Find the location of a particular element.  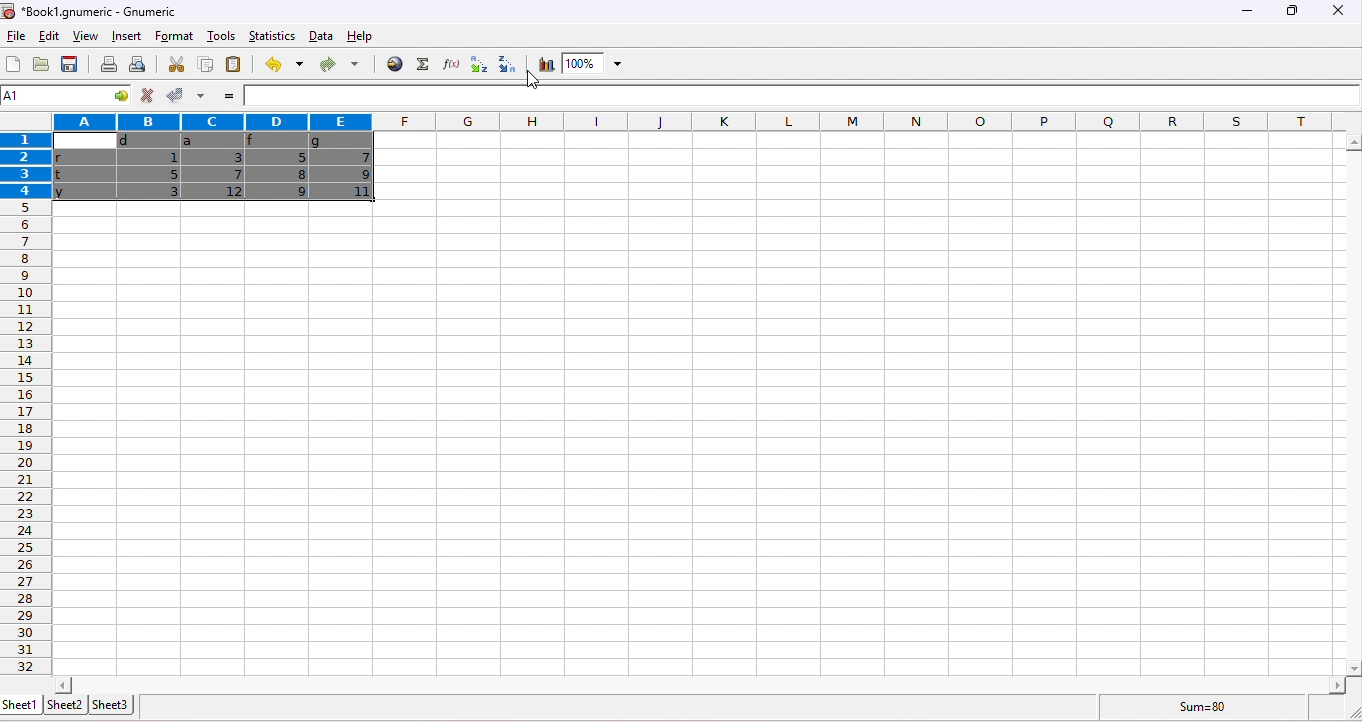

cursor movement is located at coordinates (542, 80).